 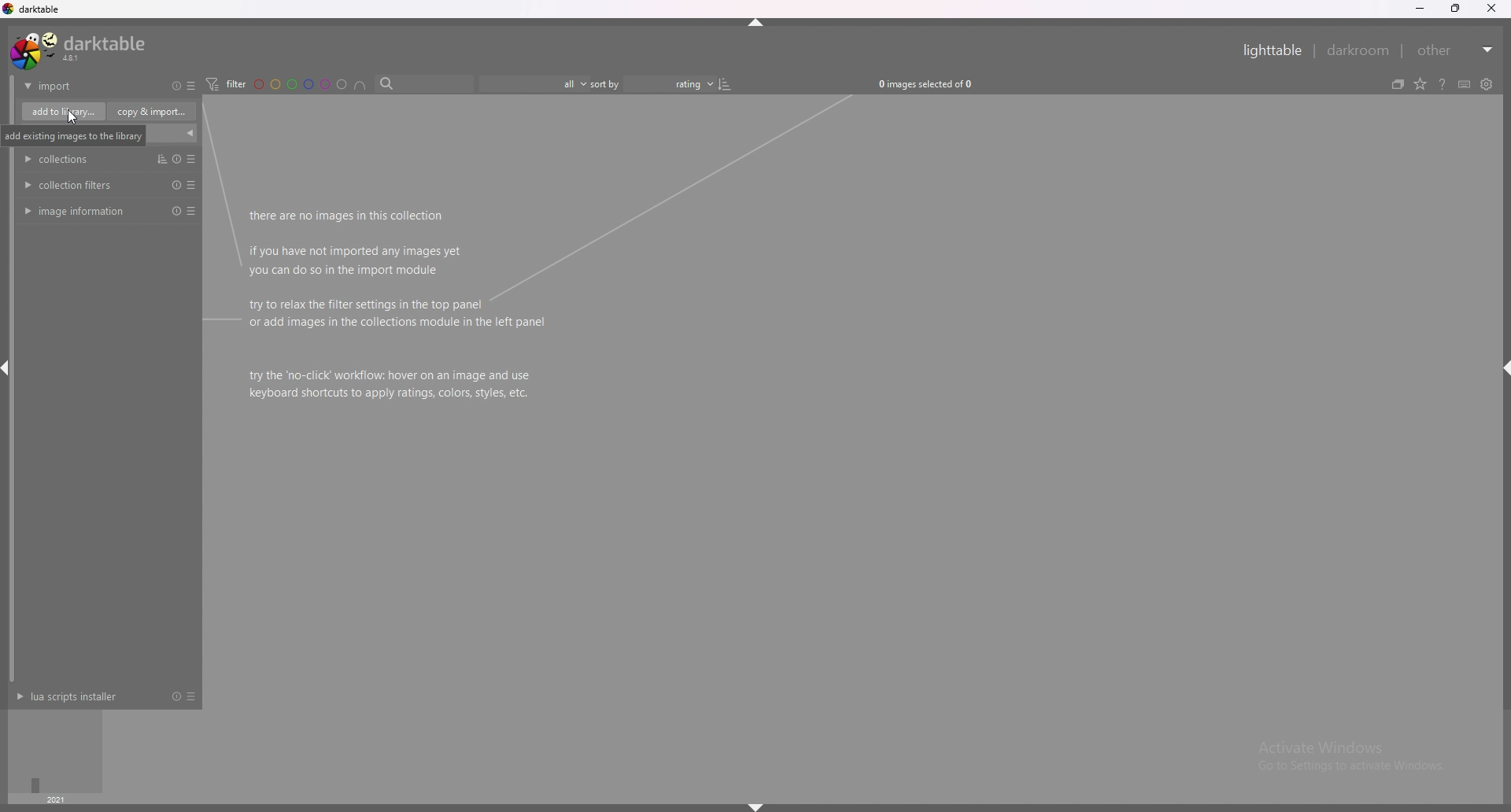 What do you see at coordinates (174, 211) in the screenshot?
I see `reset` at bounding box center [174, 211].